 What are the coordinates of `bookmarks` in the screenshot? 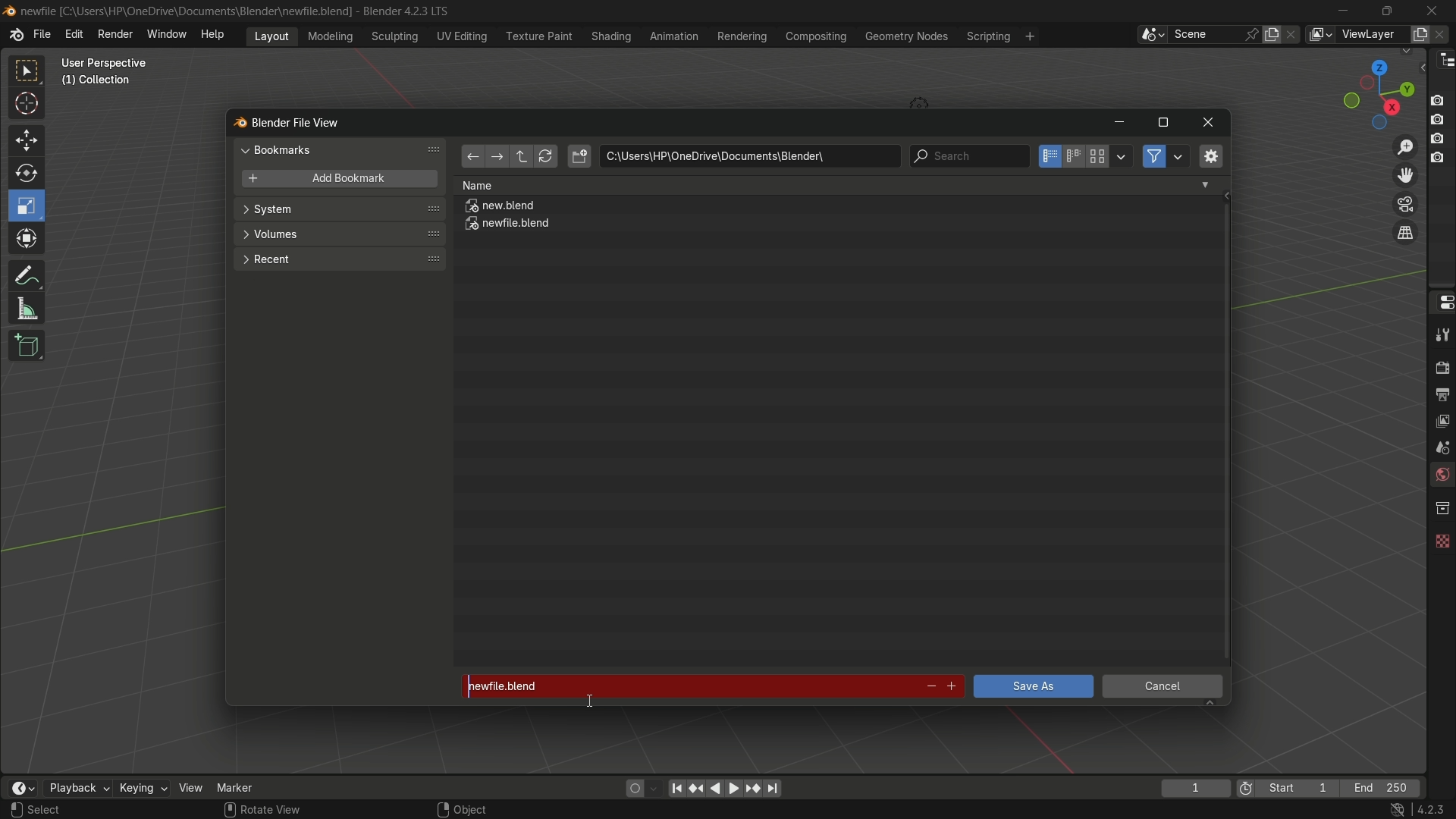 It's located at (343, 149).